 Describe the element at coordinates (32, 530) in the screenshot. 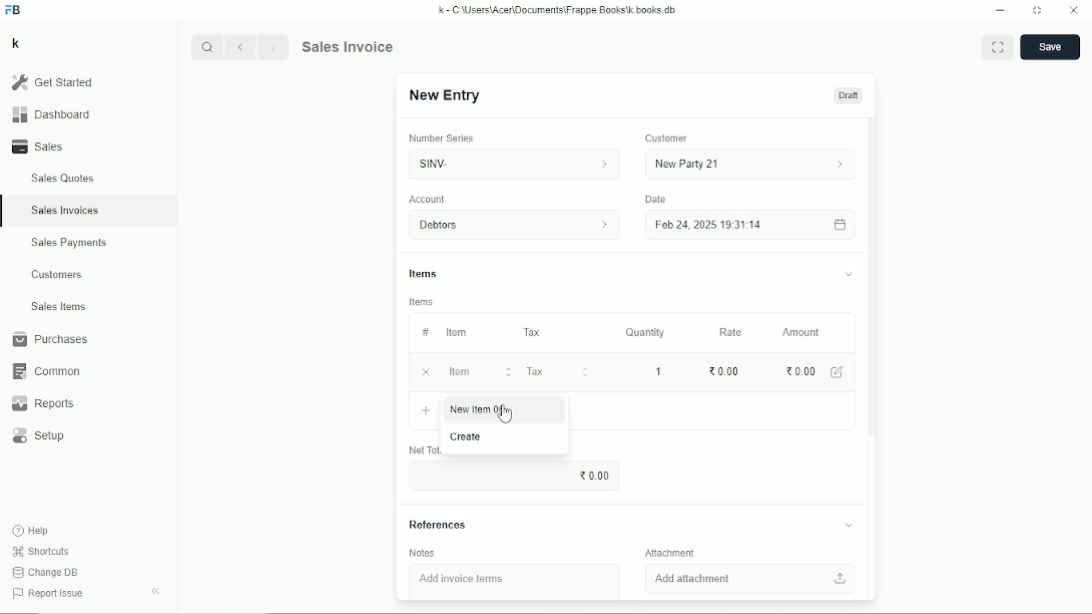

I see `Help` at that location.